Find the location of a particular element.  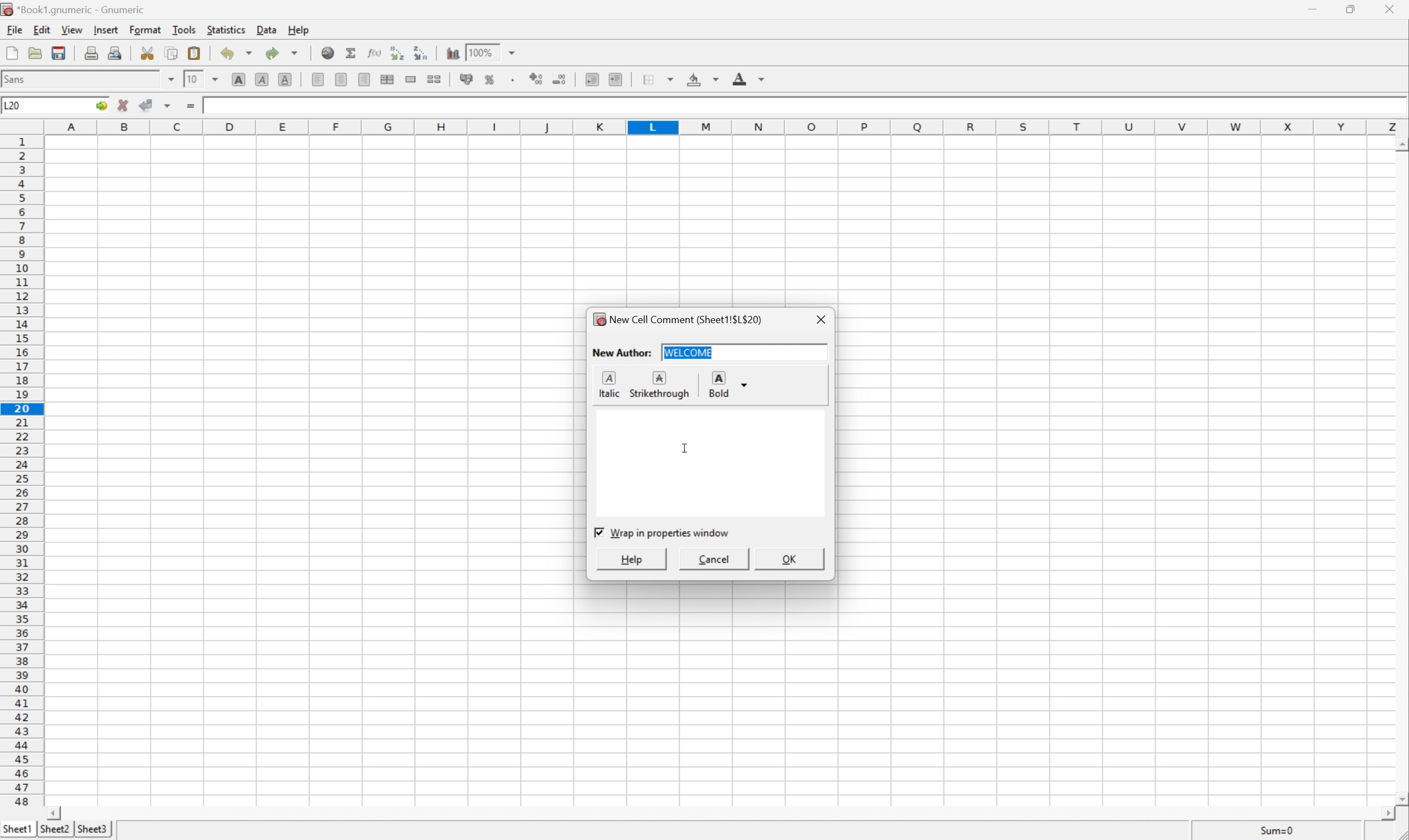

Drop Down is located at coordinates (215, 79).